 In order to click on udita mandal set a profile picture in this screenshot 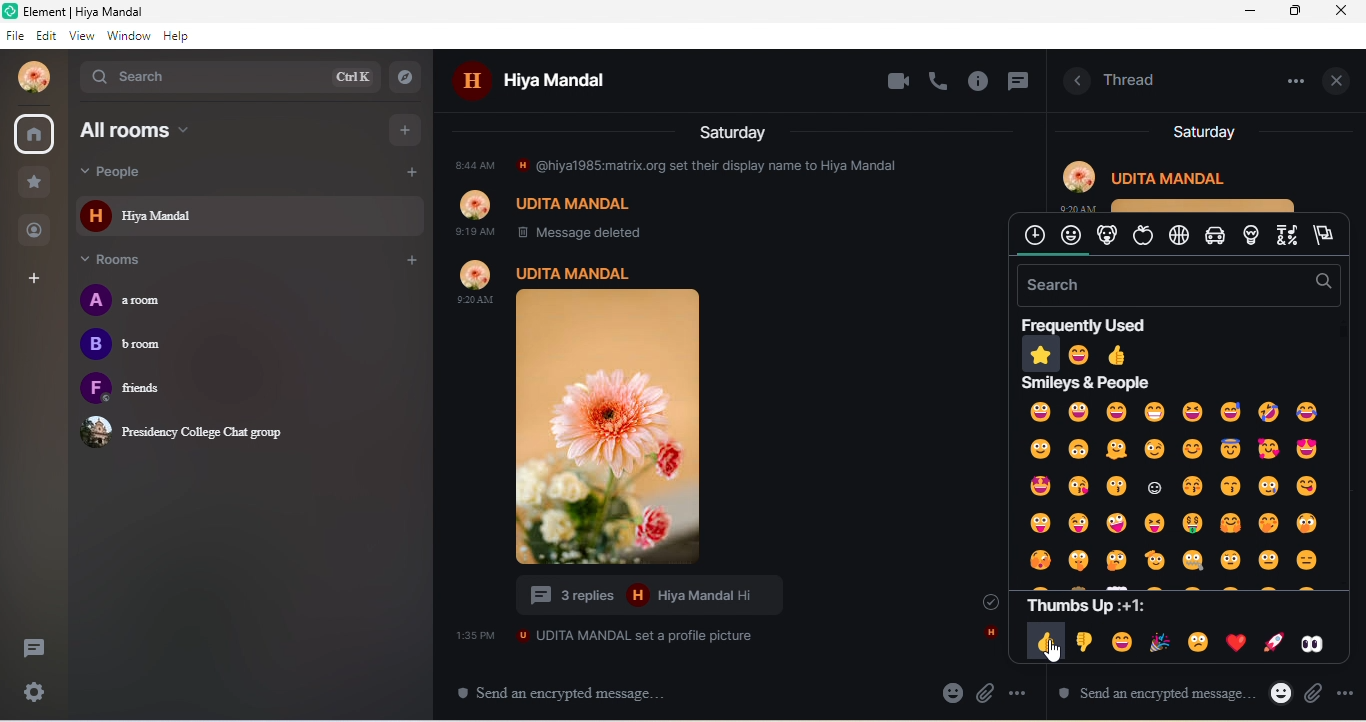, I will do `click(605, 635)`.